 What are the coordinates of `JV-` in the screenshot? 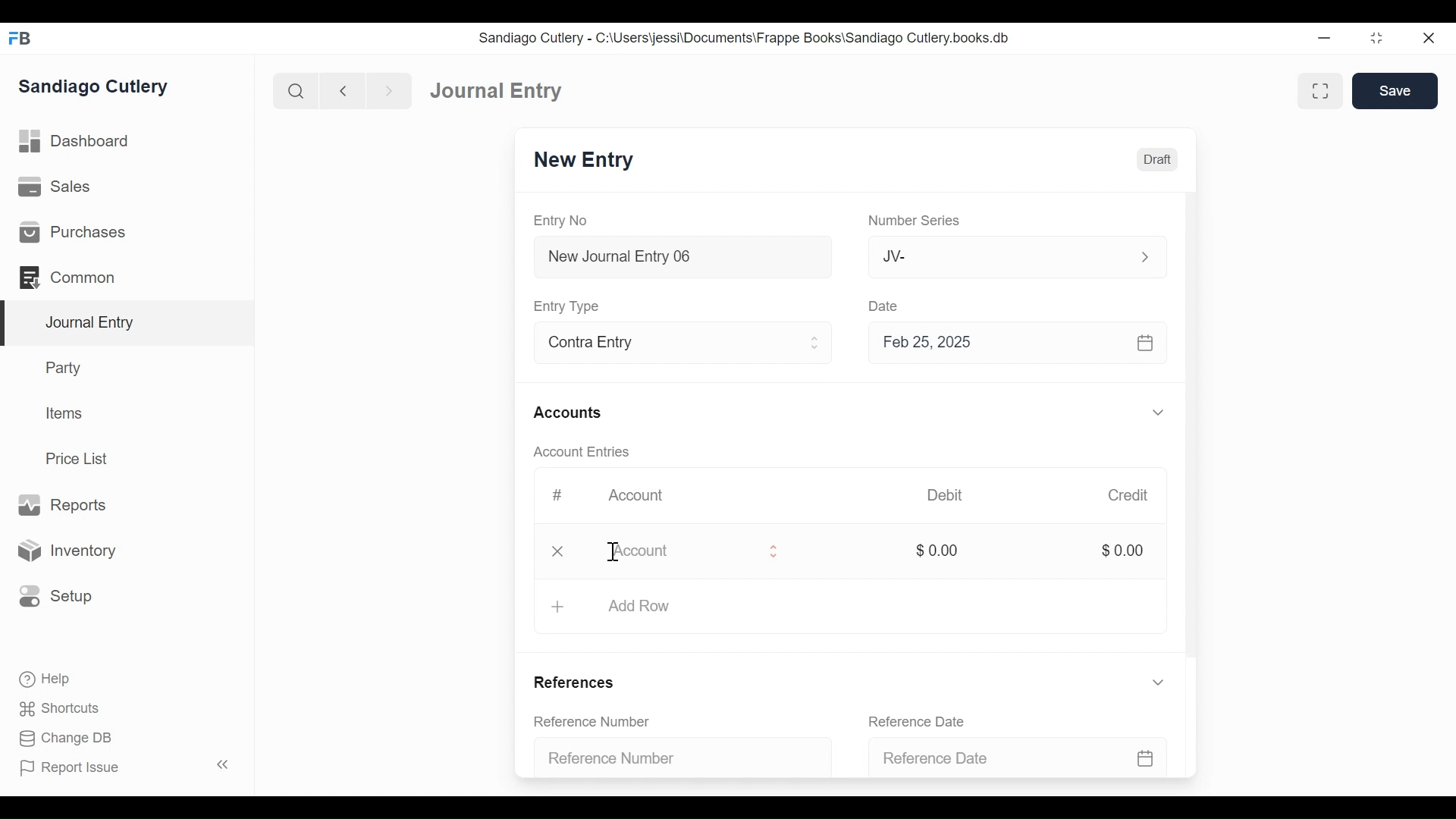 It's located at (999, 255).